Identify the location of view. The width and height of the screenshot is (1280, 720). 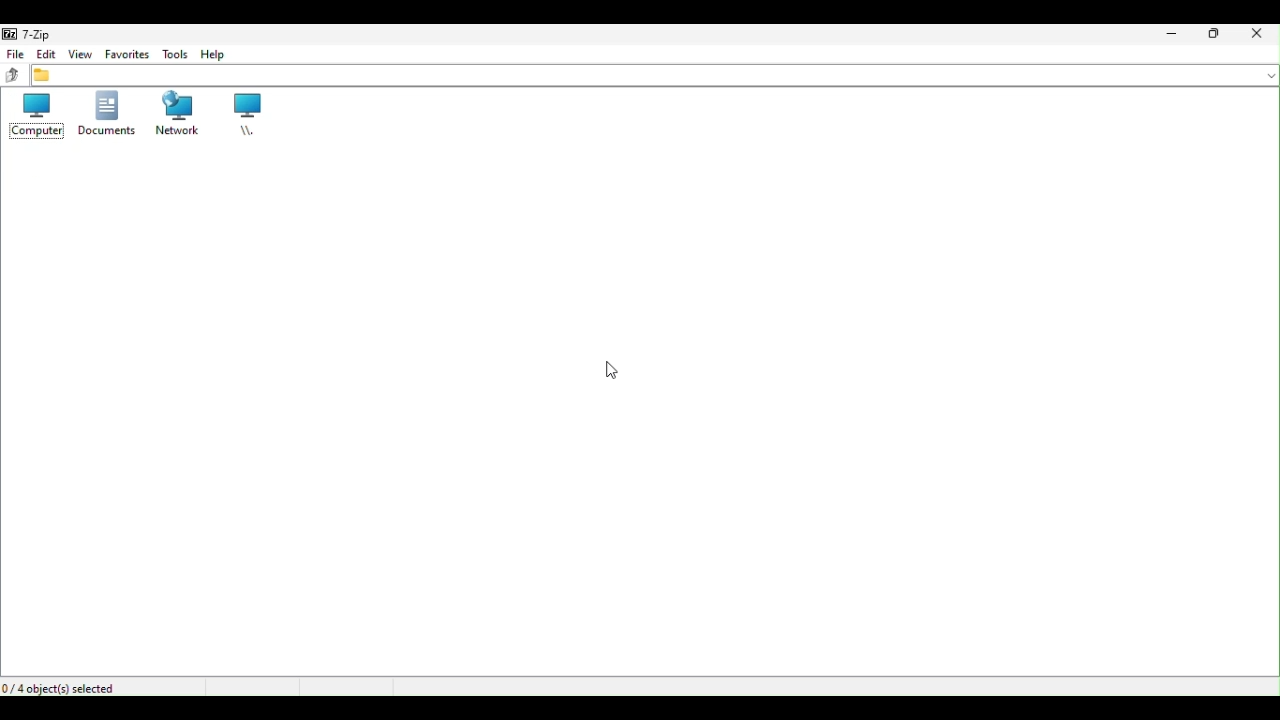
(80, 55).